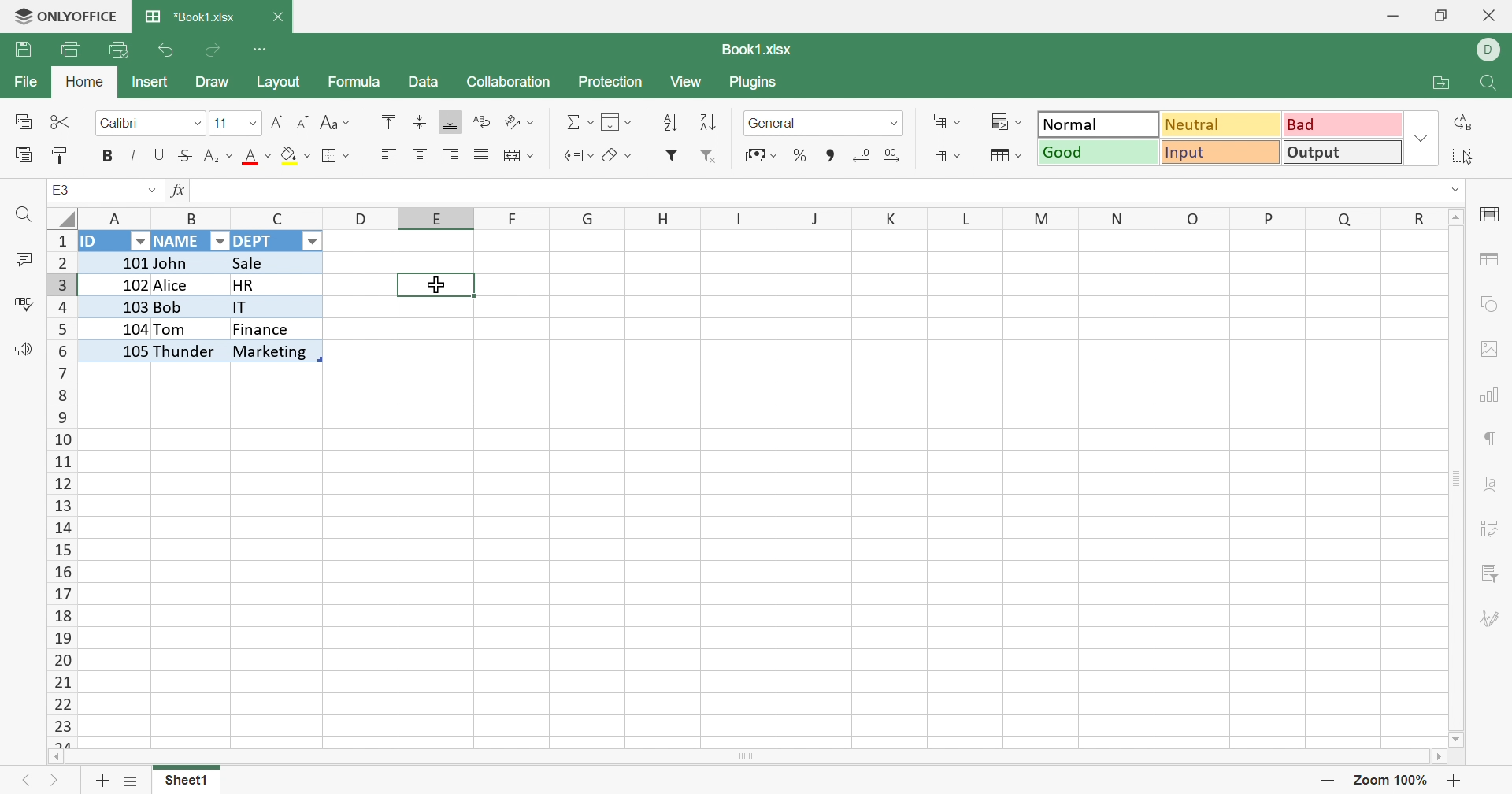 Image resolution: width=1512 pixels, height=794 pixels. What do you see at coordinates (1340, 153) in the screenshot?
I see `Output` at bounding box center [1340, 153].